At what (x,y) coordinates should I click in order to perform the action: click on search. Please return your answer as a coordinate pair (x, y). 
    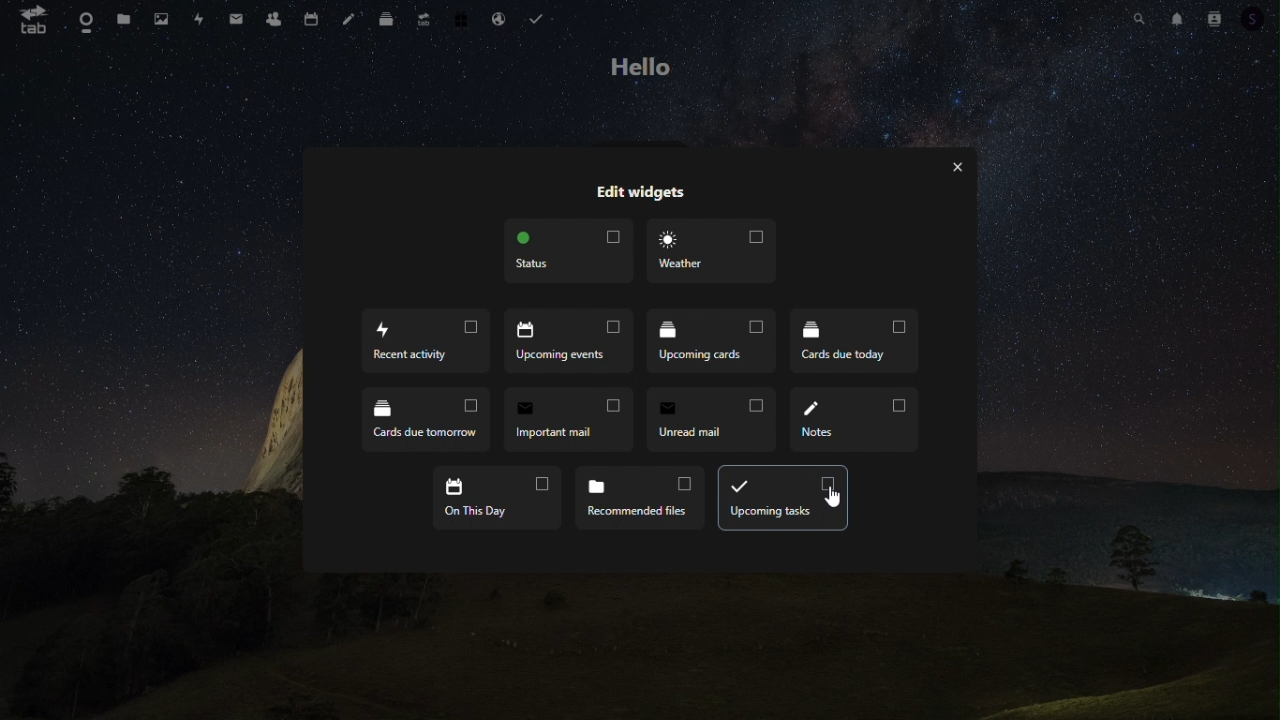
    Looking at the image, I should click on (1140, 20).